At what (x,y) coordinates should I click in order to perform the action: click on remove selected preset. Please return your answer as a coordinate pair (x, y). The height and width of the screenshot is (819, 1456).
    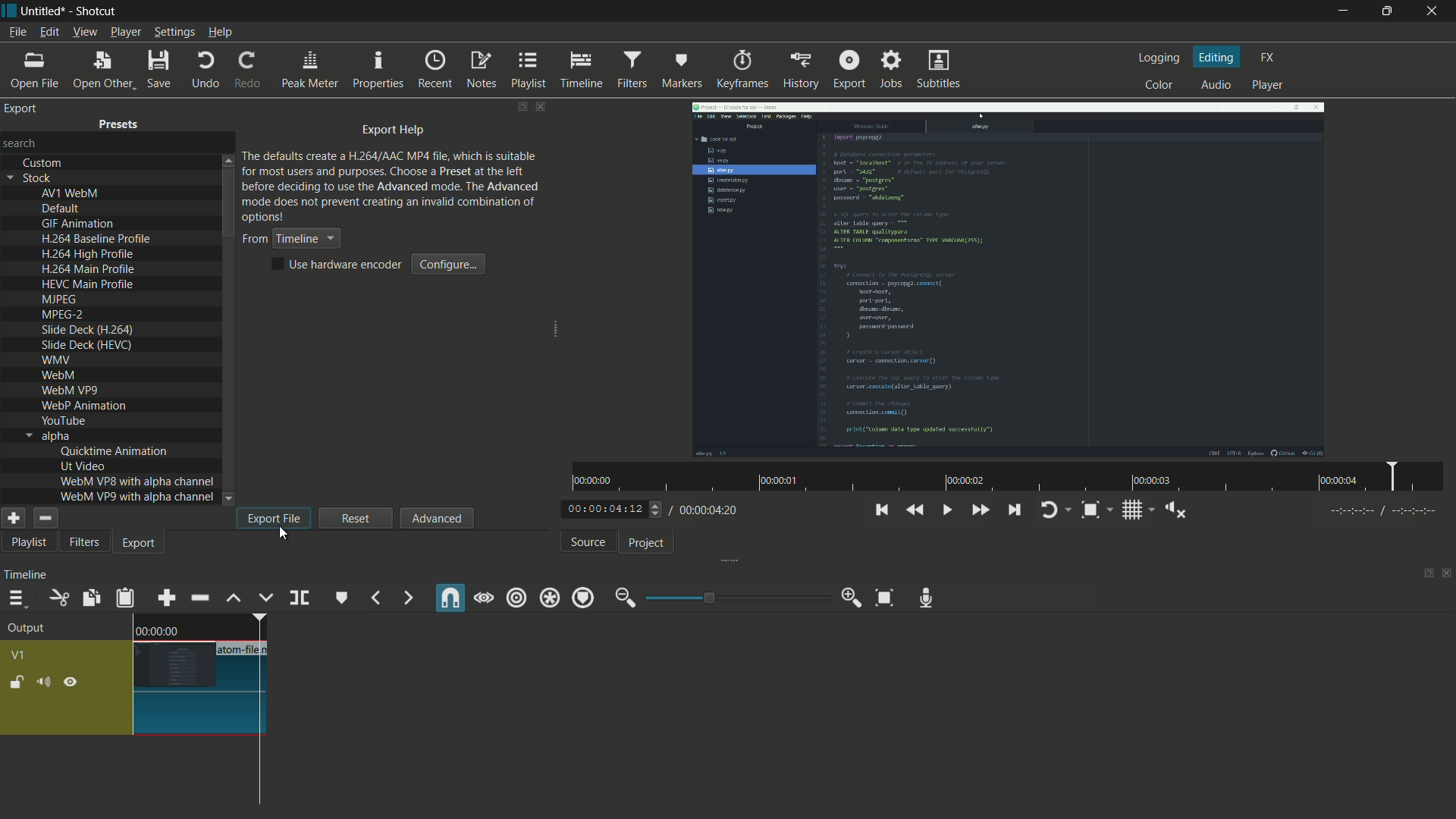
    Looking at the image, I should click on (45, 518).